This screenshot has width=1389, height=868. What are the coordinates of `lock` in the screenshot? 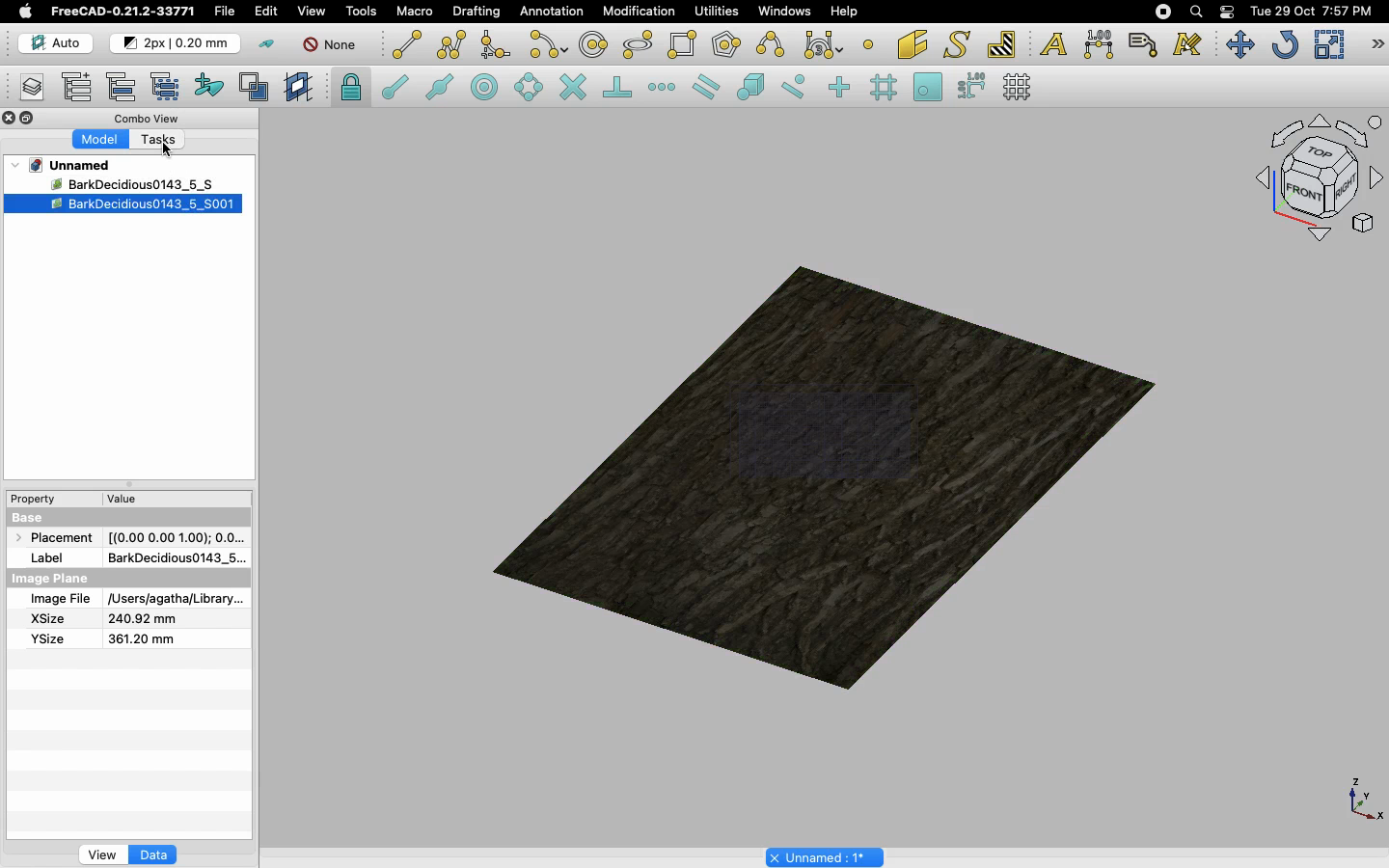 It's located at (352, 90).